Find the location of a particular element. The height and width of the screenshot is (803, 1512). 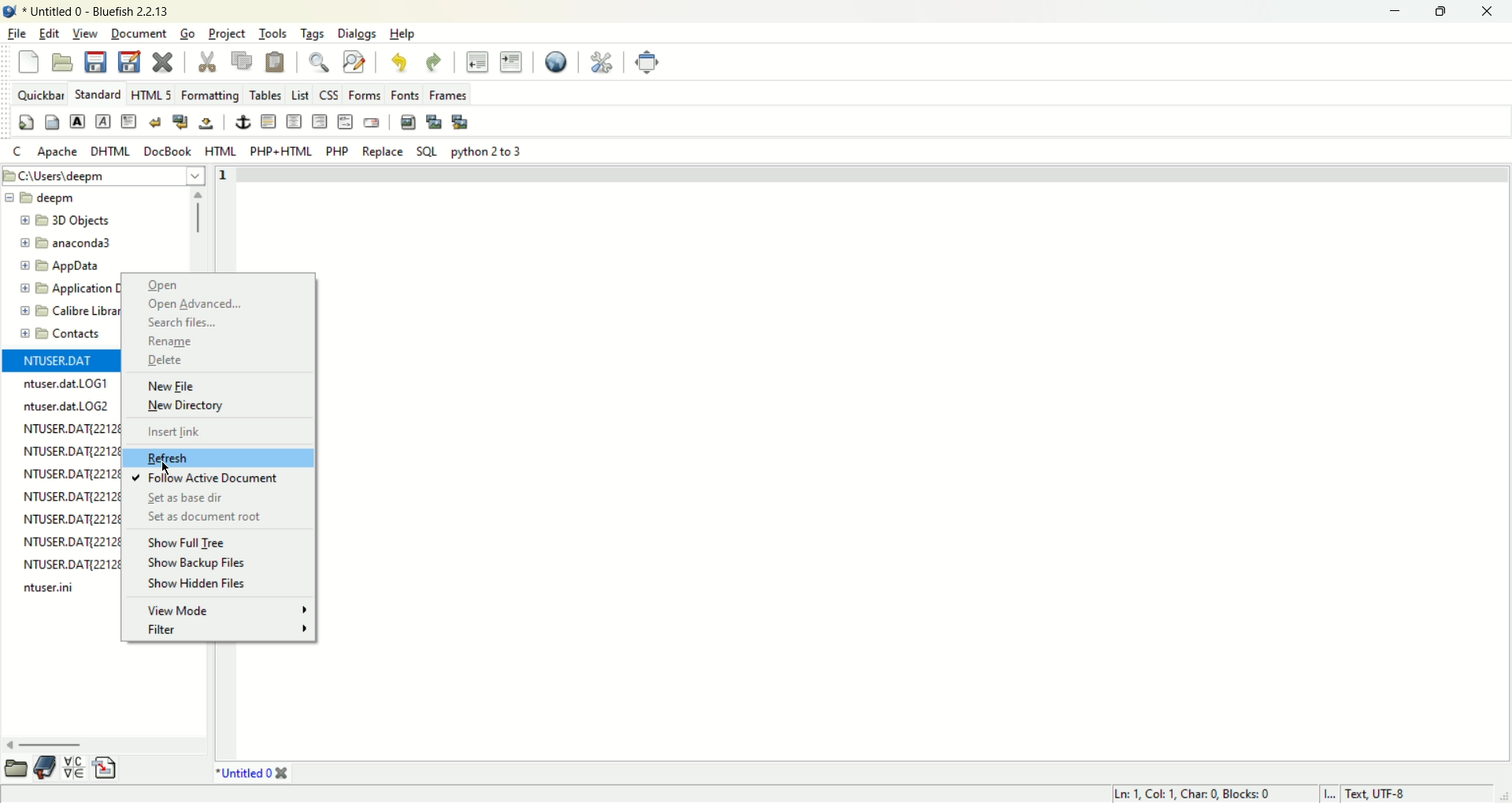

Formatting is located at coordinates (212, 95).